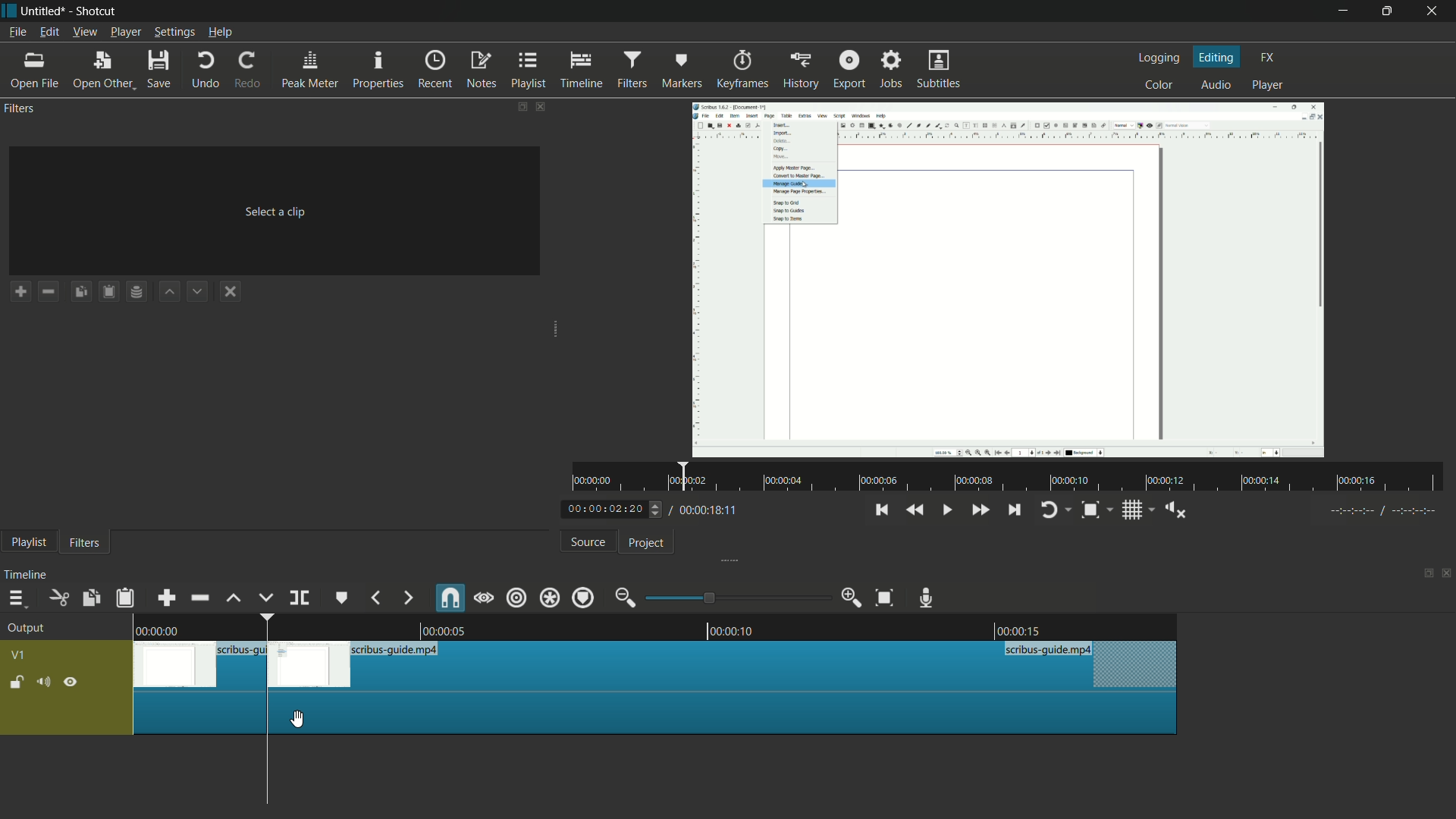 The height and width of the screenshot is (819, 1456). I want to click on timeline, so click(583, 70).